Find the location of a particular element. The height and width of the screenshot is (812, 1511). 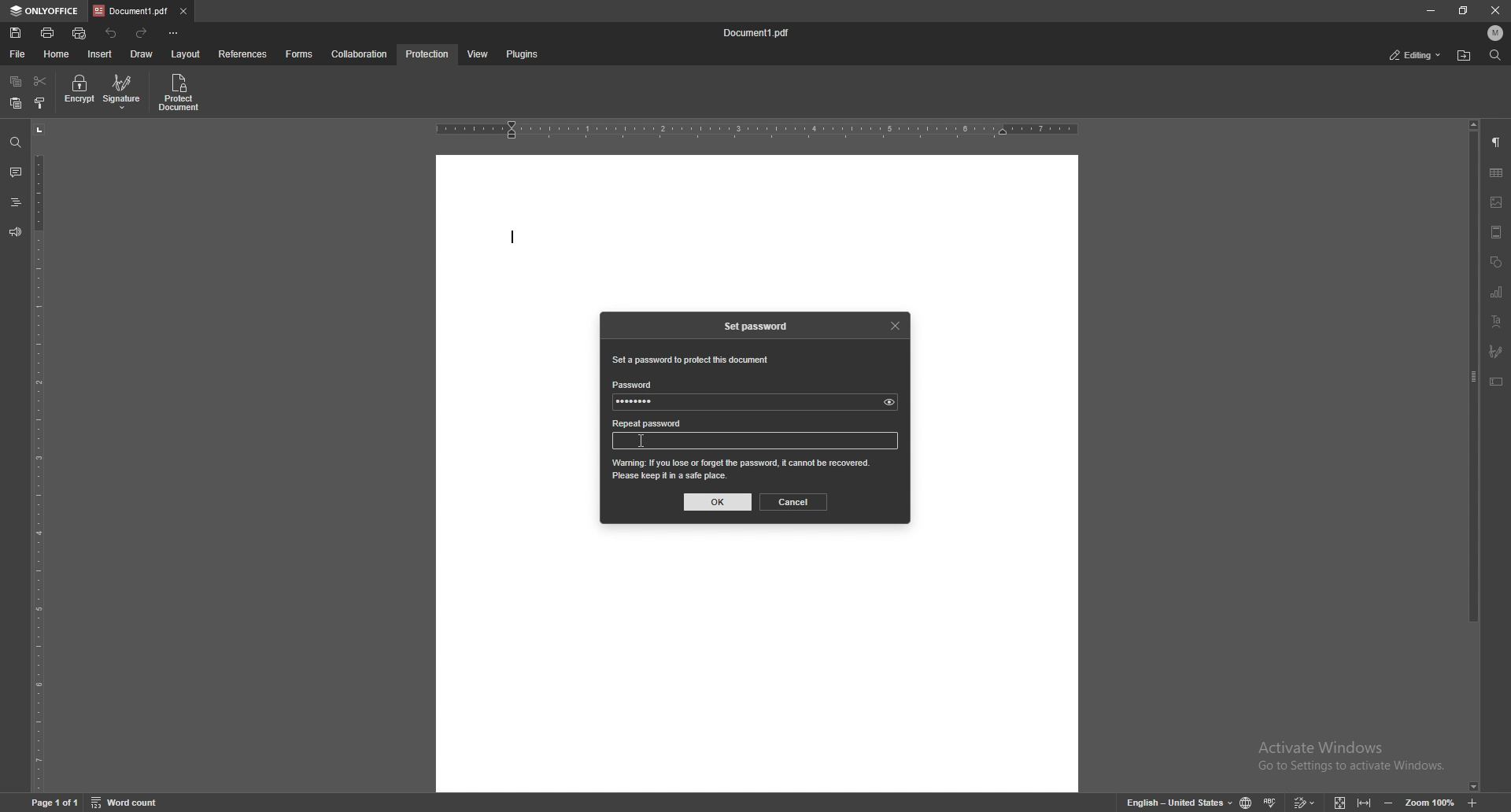

track change is located at coordinates (1306, 802).